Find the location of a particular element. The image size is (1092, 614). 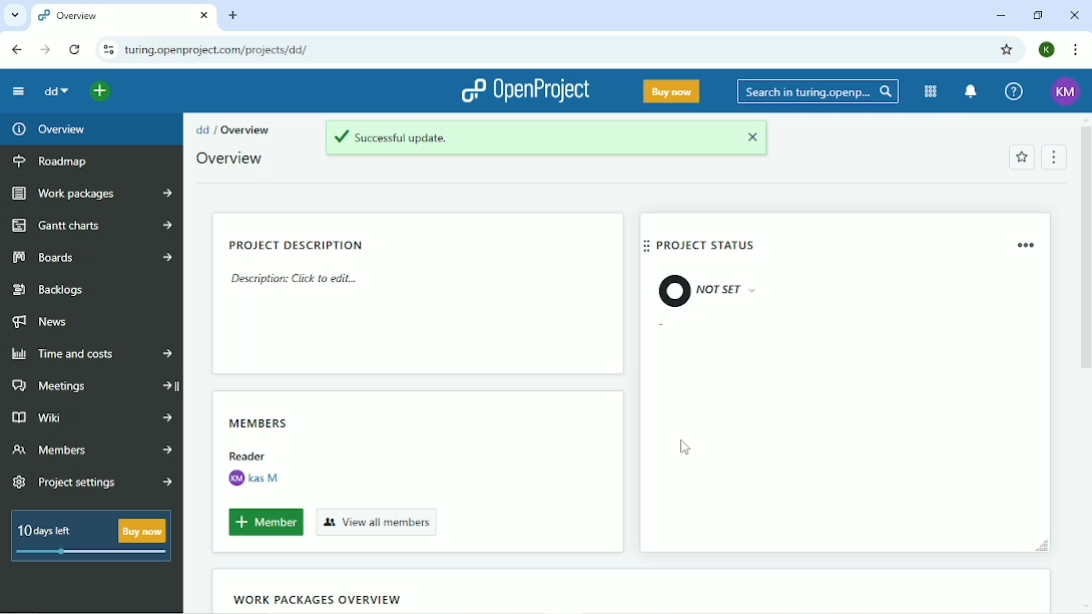

Back is located at coordinates (16, 50).